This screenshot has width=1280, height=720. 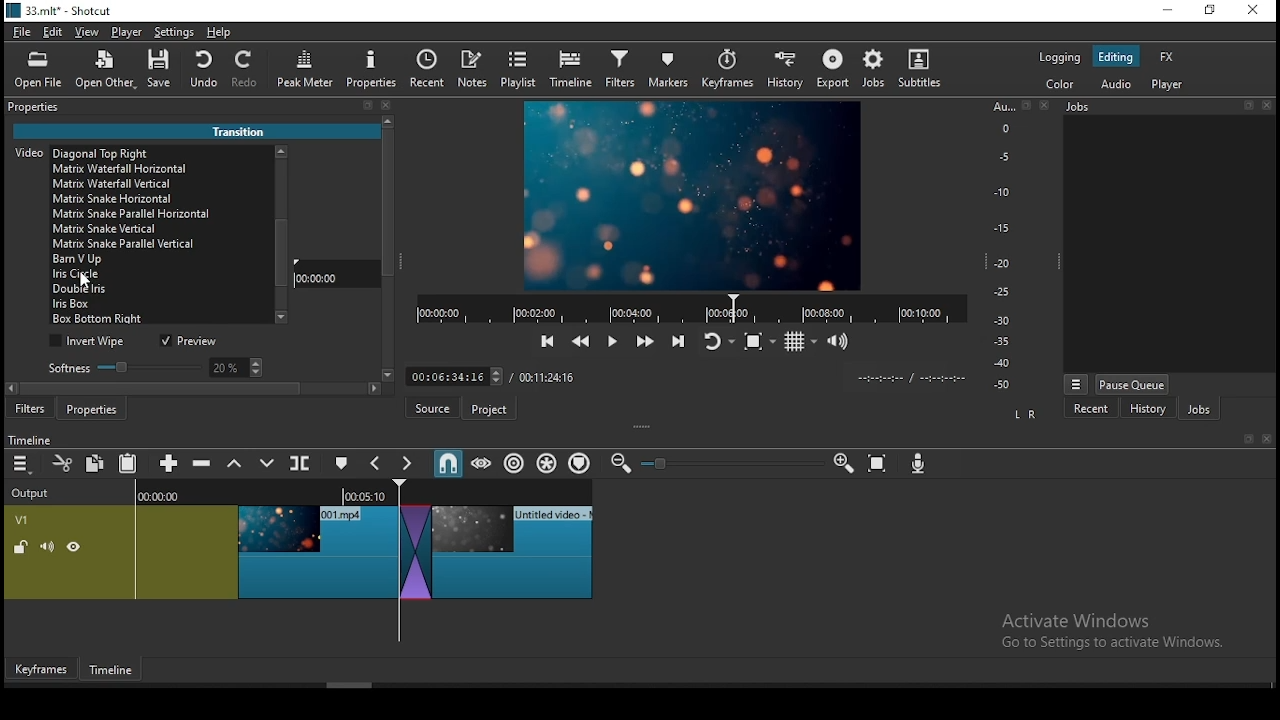 What do you see at coordinates (433, 71) in the screenshot?
I see `split at playhead` at bounding box center [433, 71].